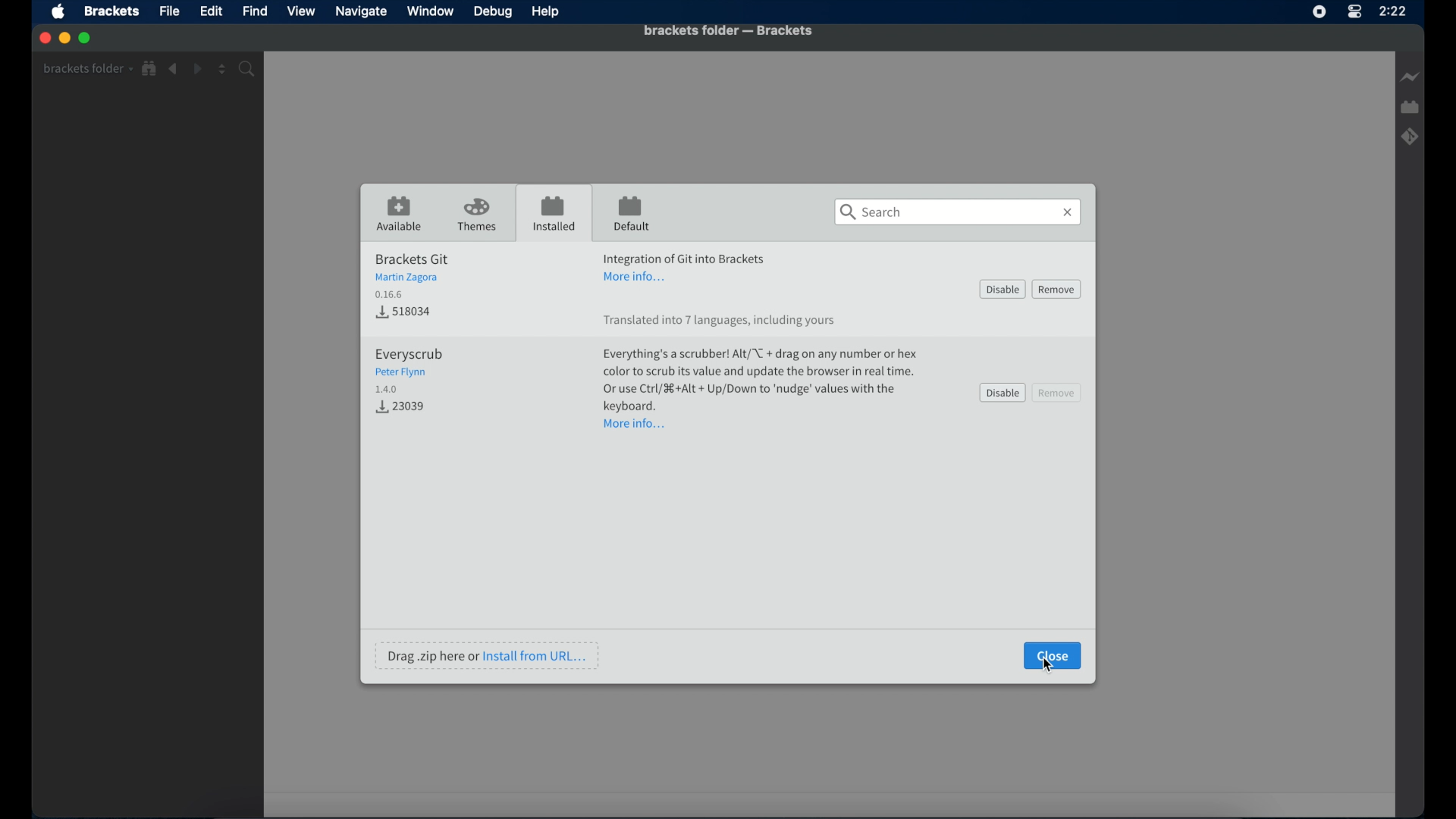 This screenshot has height=819, width=1456. Describe the element at coordinates (494, 13) in the screenshot. I see `debug` at that location.